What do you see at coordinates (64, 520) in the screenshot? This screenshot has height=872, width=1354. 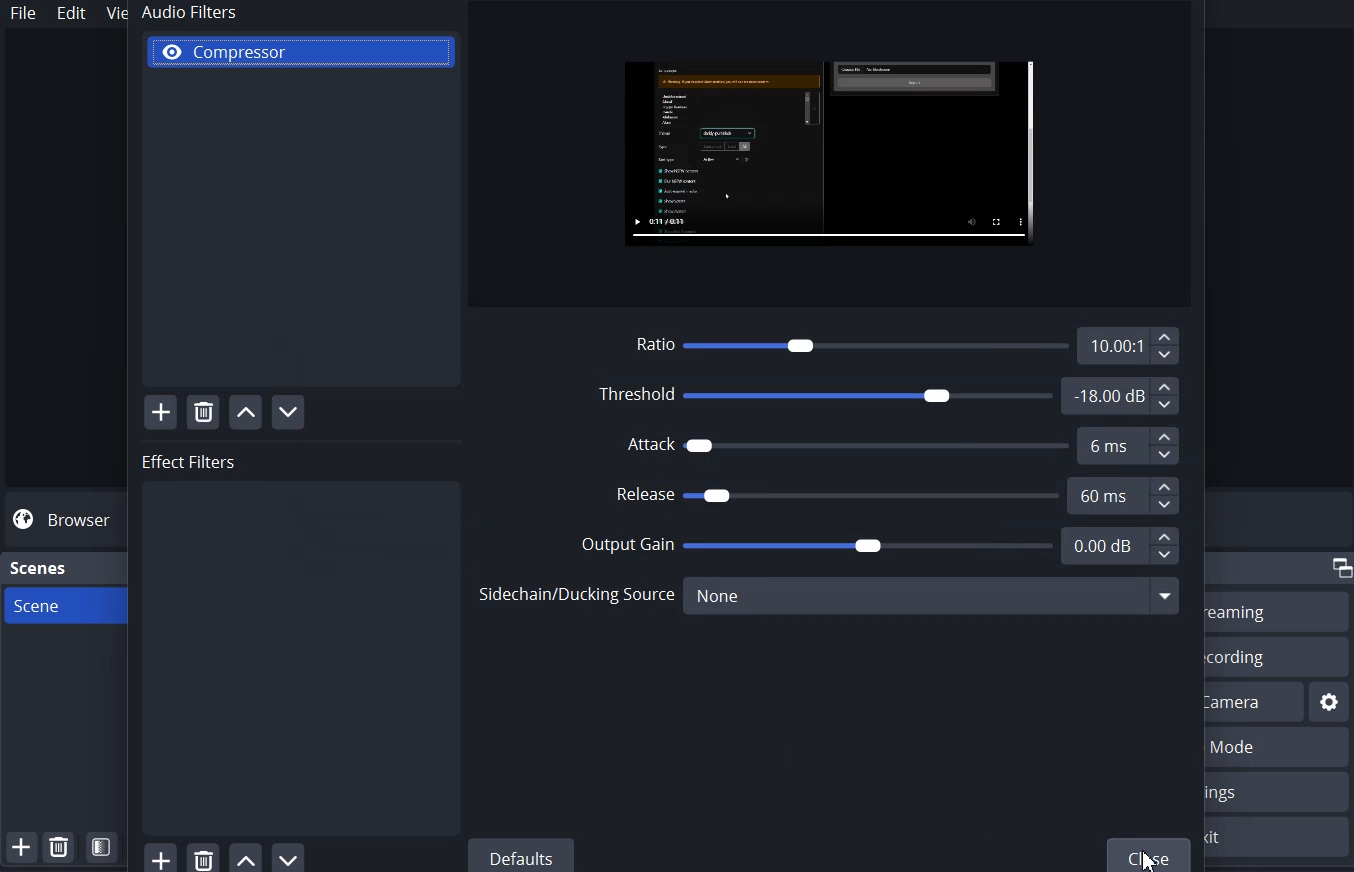 I see `Browse` at bounding box center [64, 520].